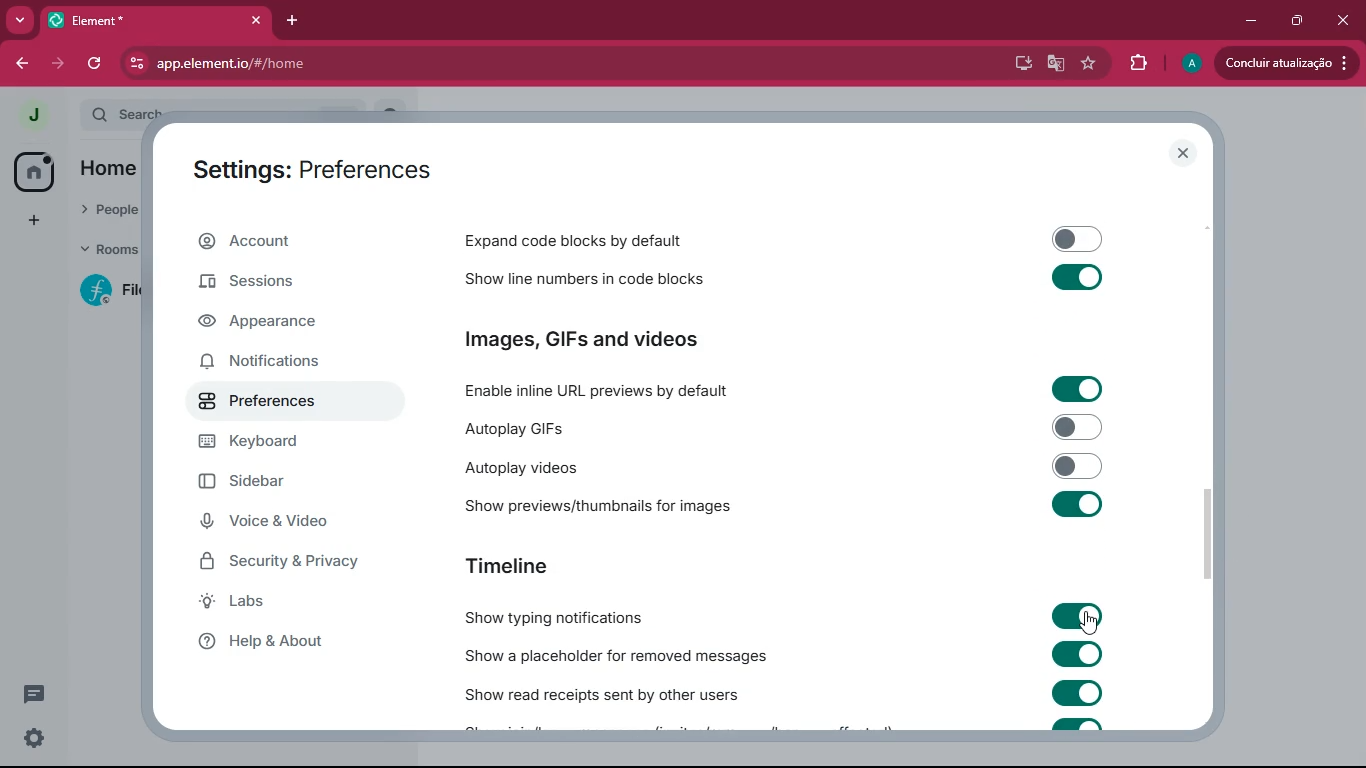  Describe the element at coordinates (1077, 654) in the screenshot. I see `toggle on/off` at that location.